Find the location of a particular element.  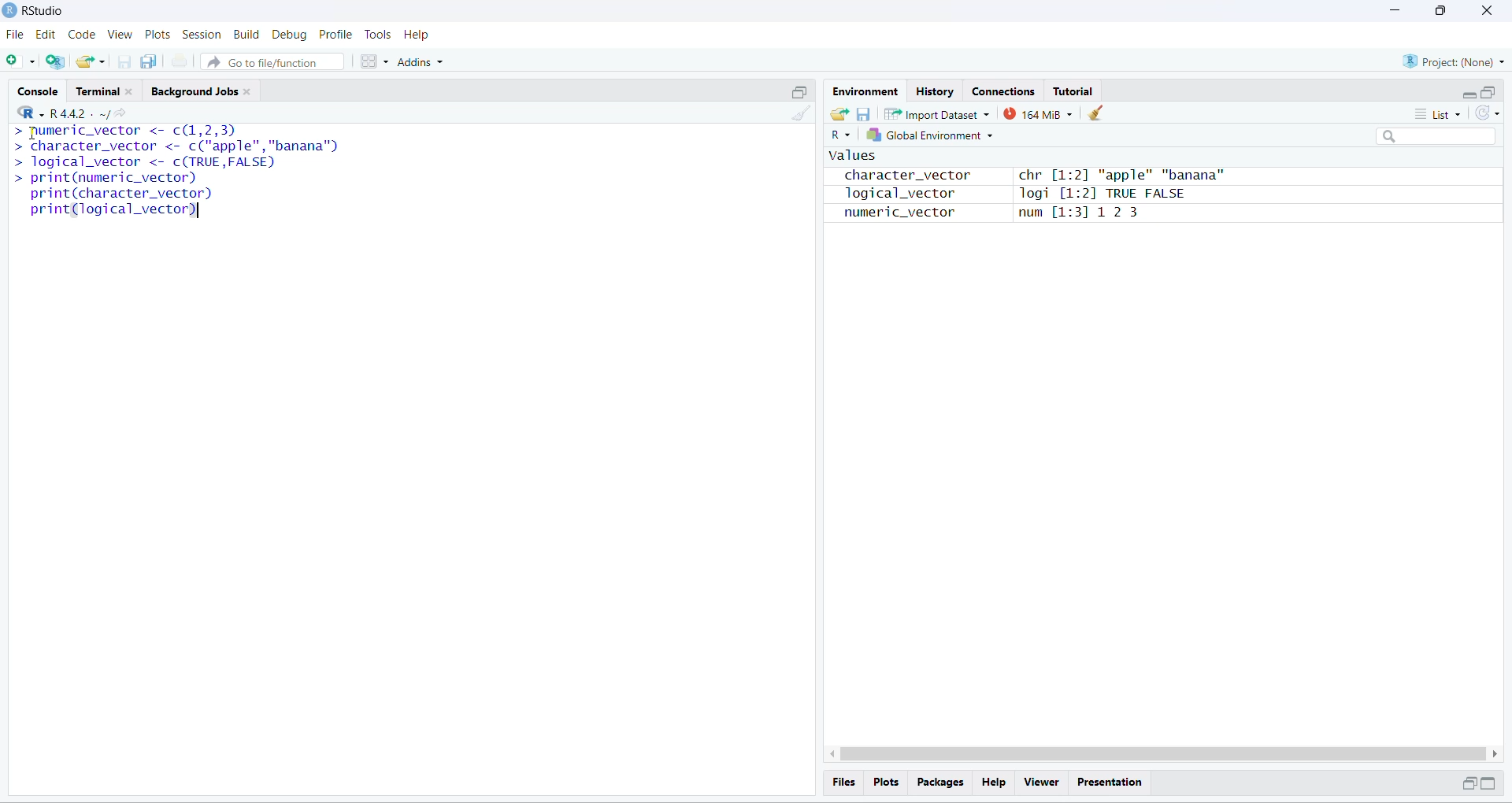

Project: (None) is located at coordinates (1455, 61).